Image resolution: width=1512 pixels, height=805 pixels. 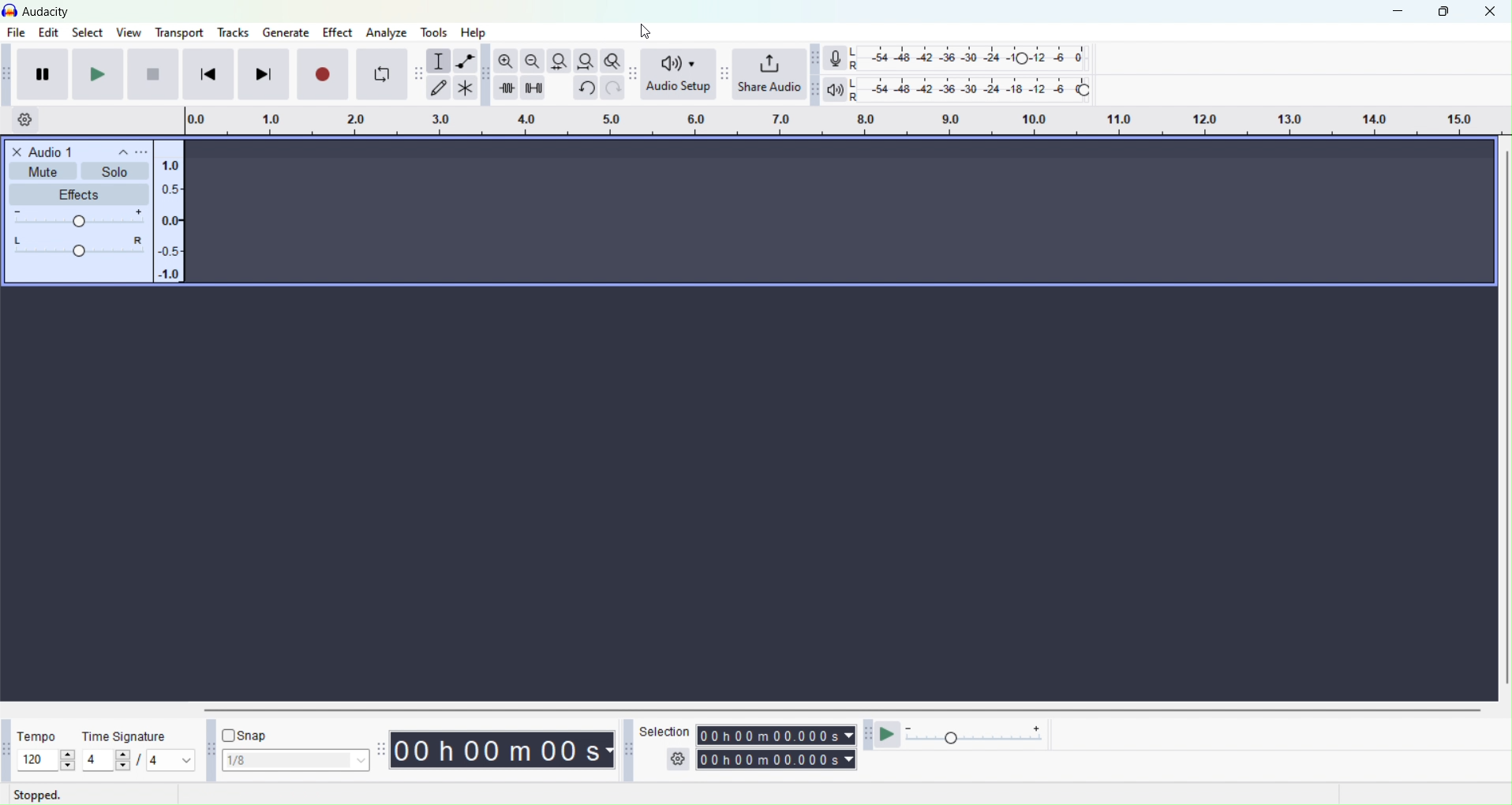 I want to click on track slidebar, so click(x=77, y=245).